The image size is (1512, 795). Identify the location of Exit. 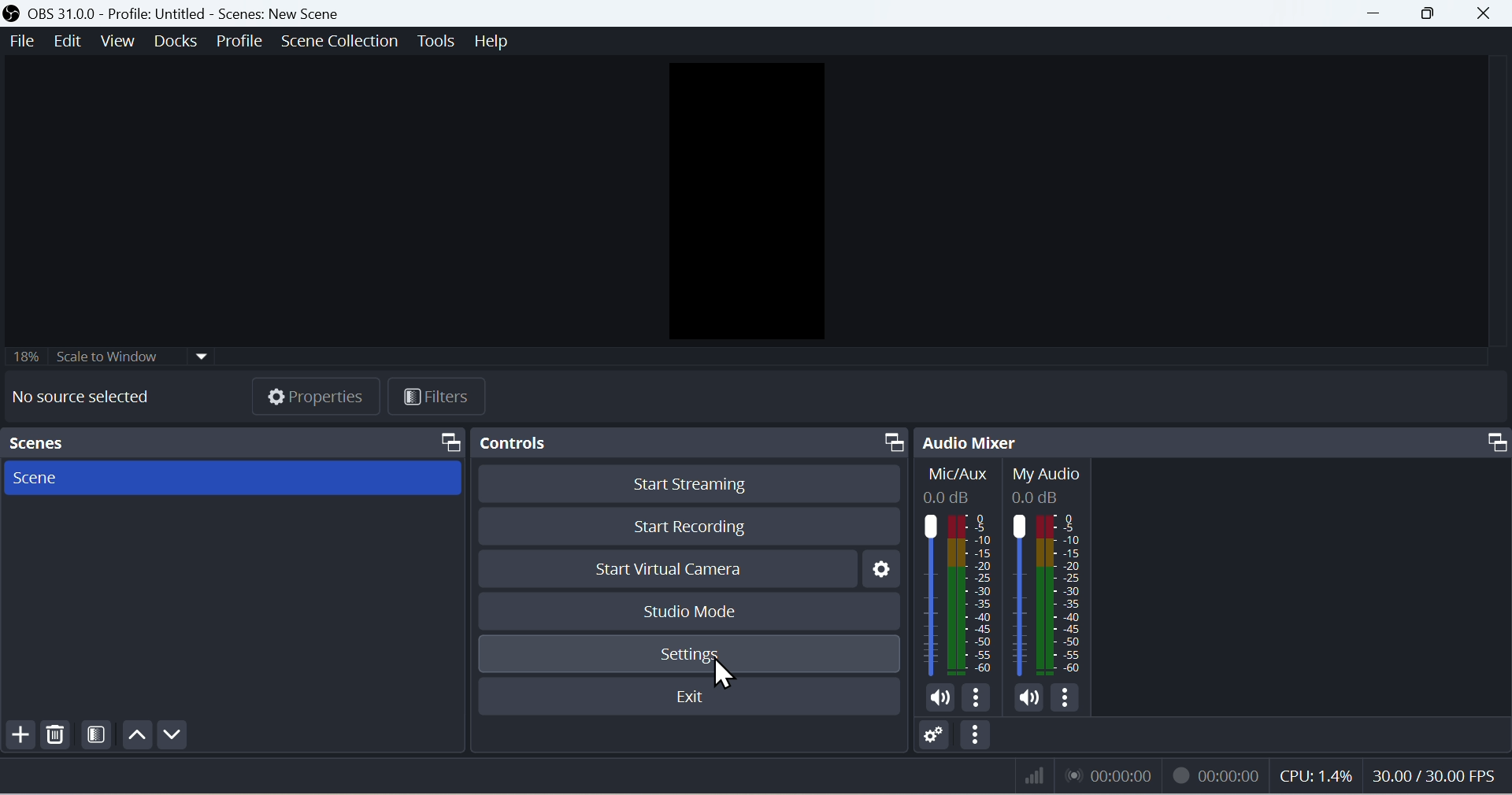
(689, 697).